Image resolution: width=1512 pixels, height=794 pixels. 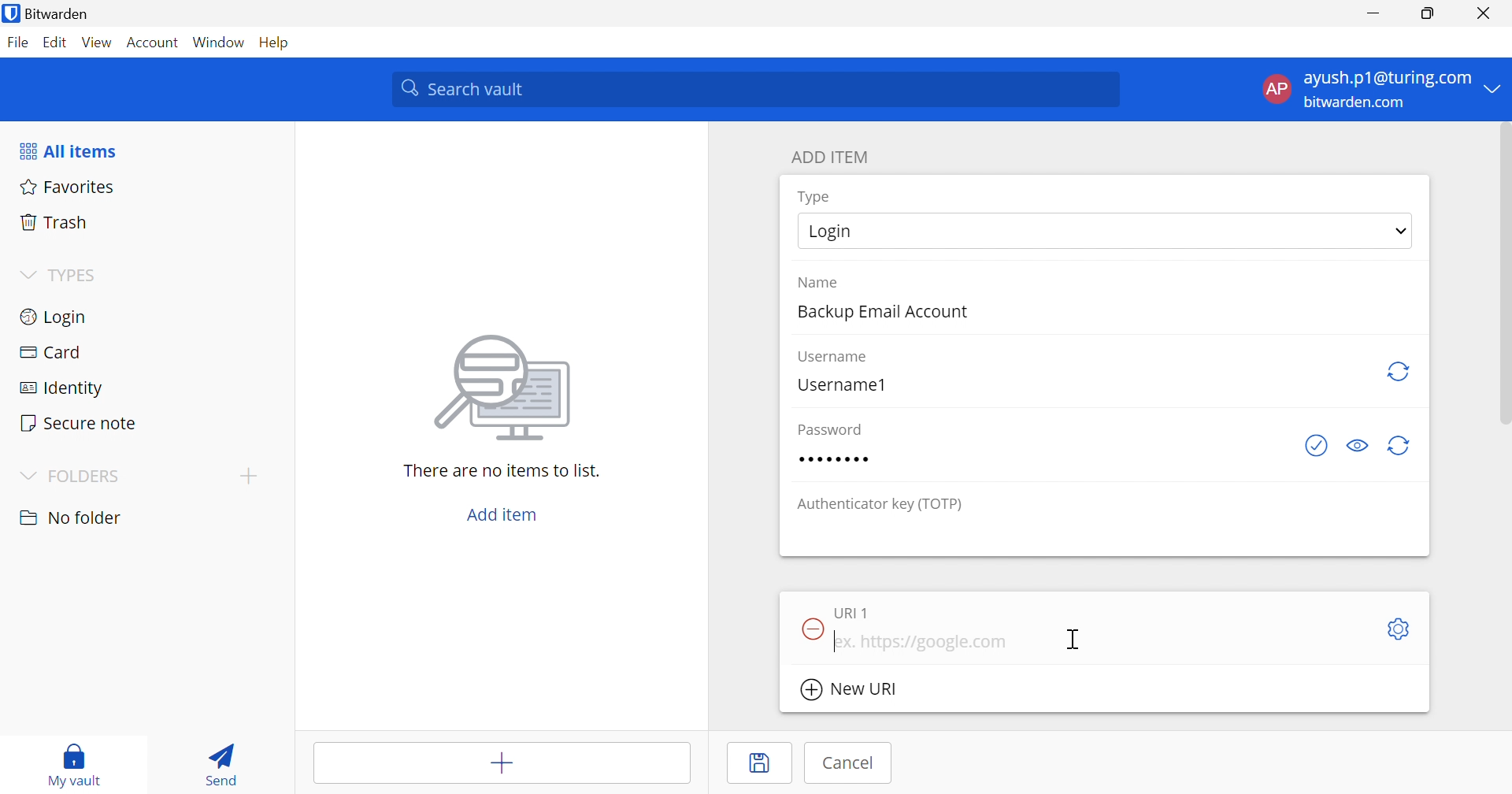 What do you see at coordinates (57, 13) in the screenshot?
I see `Bitwarden` at bounding box center [57, 13].